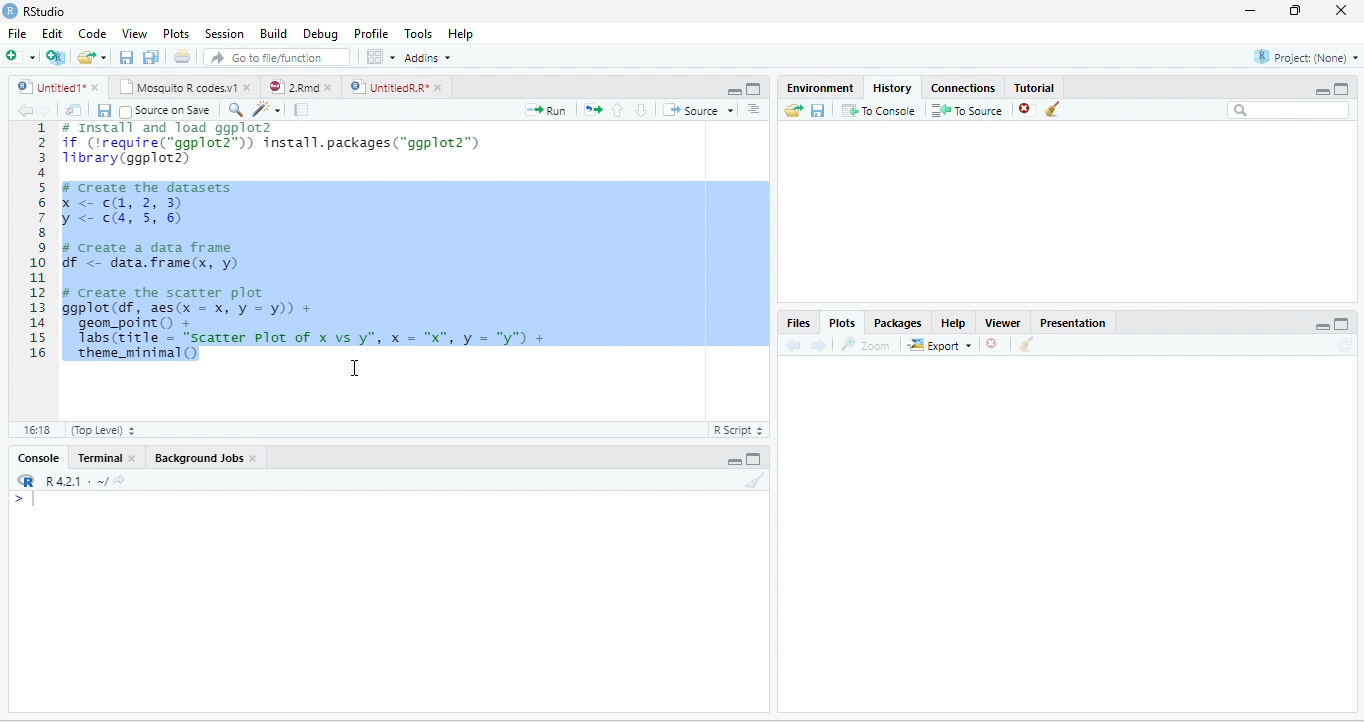  What do you see at coordinates (91, 33) in the screenshot?
I see `Code` at bounding box center [91, 33].